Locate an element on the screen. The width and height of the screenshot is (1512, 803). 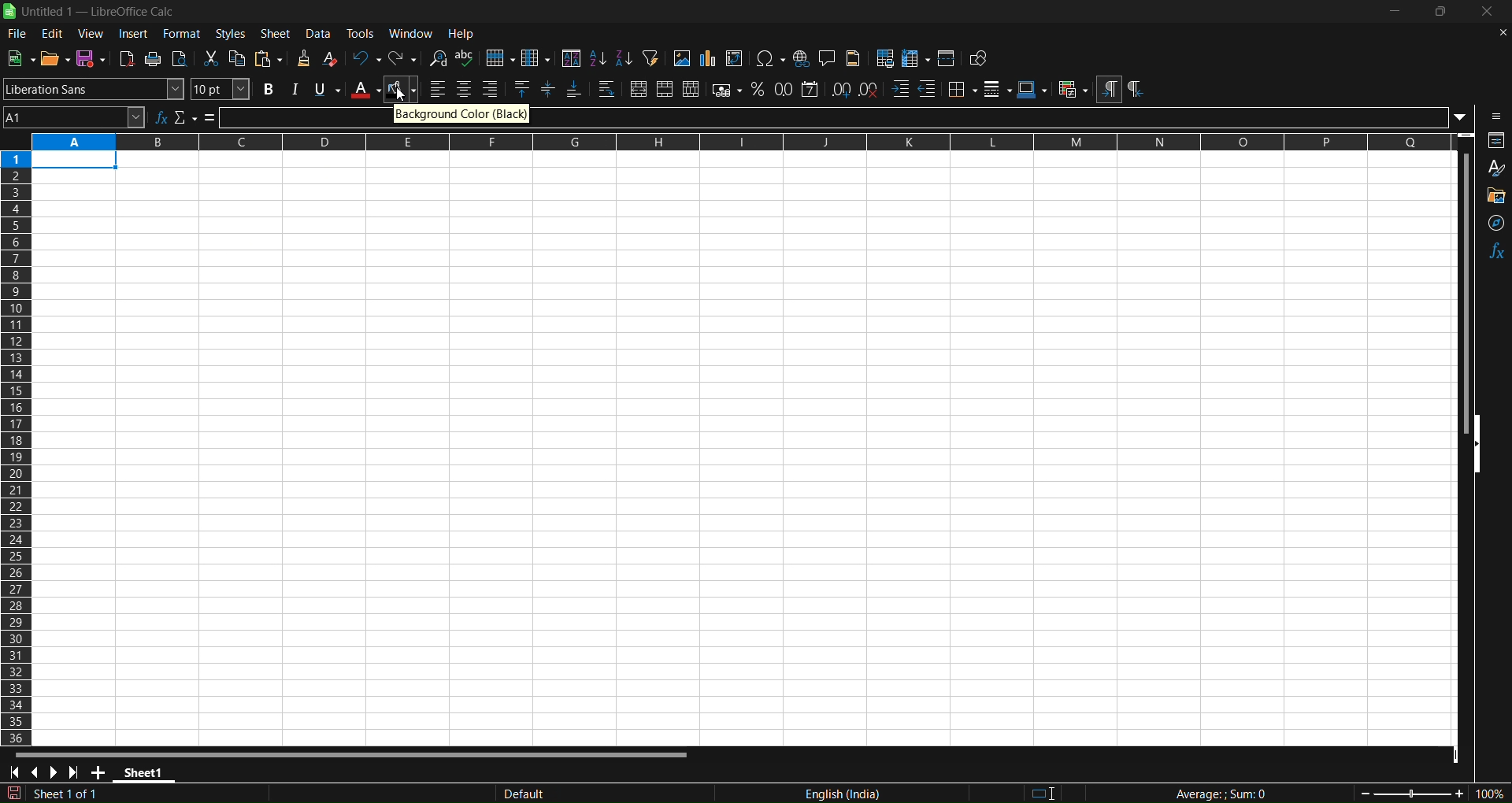
scroll to last sheet is located at coordinates (77, 773).